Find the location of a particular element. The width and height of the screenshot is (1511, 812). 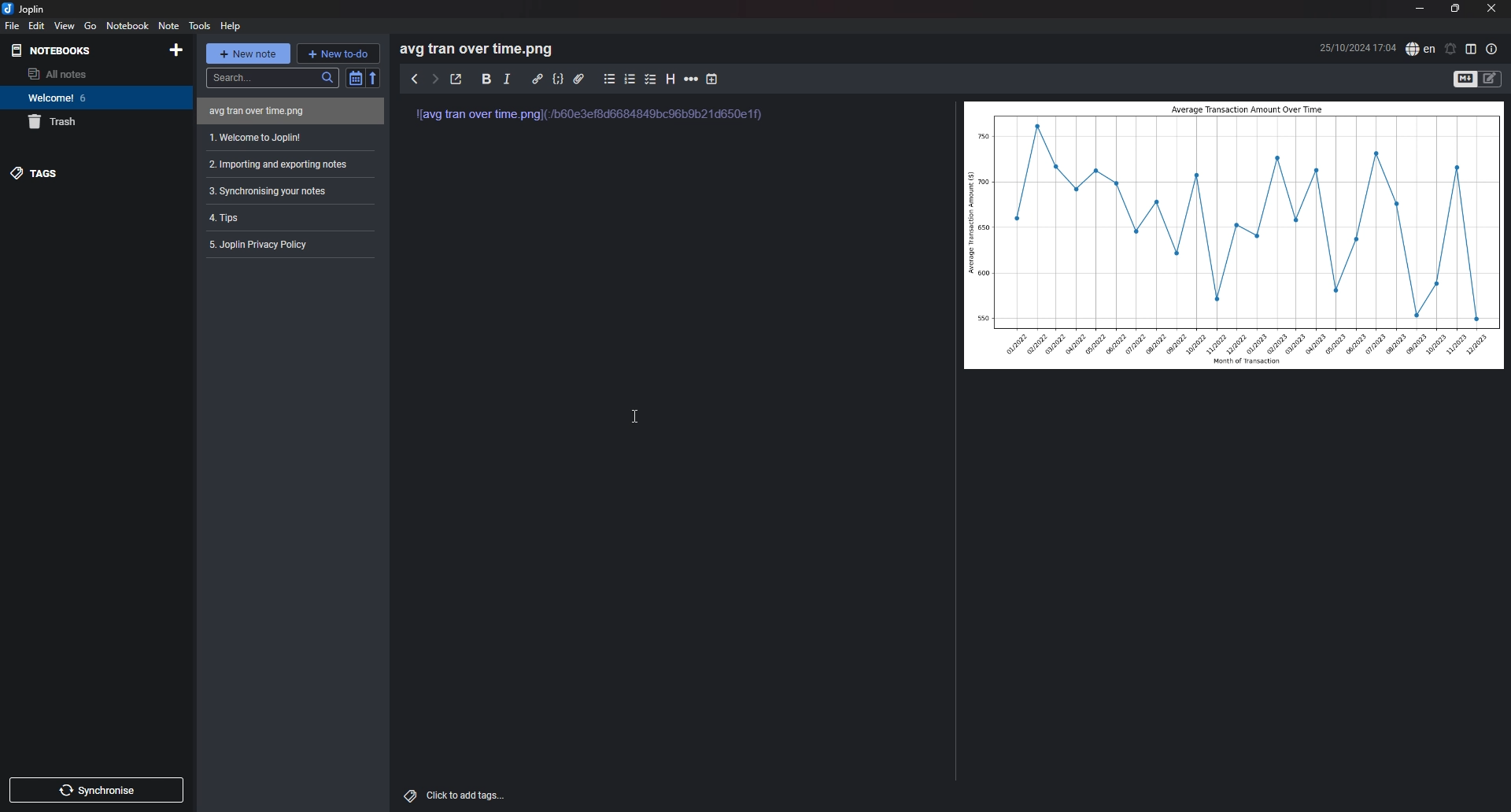

synchronise is located at coordinates (95, 790).